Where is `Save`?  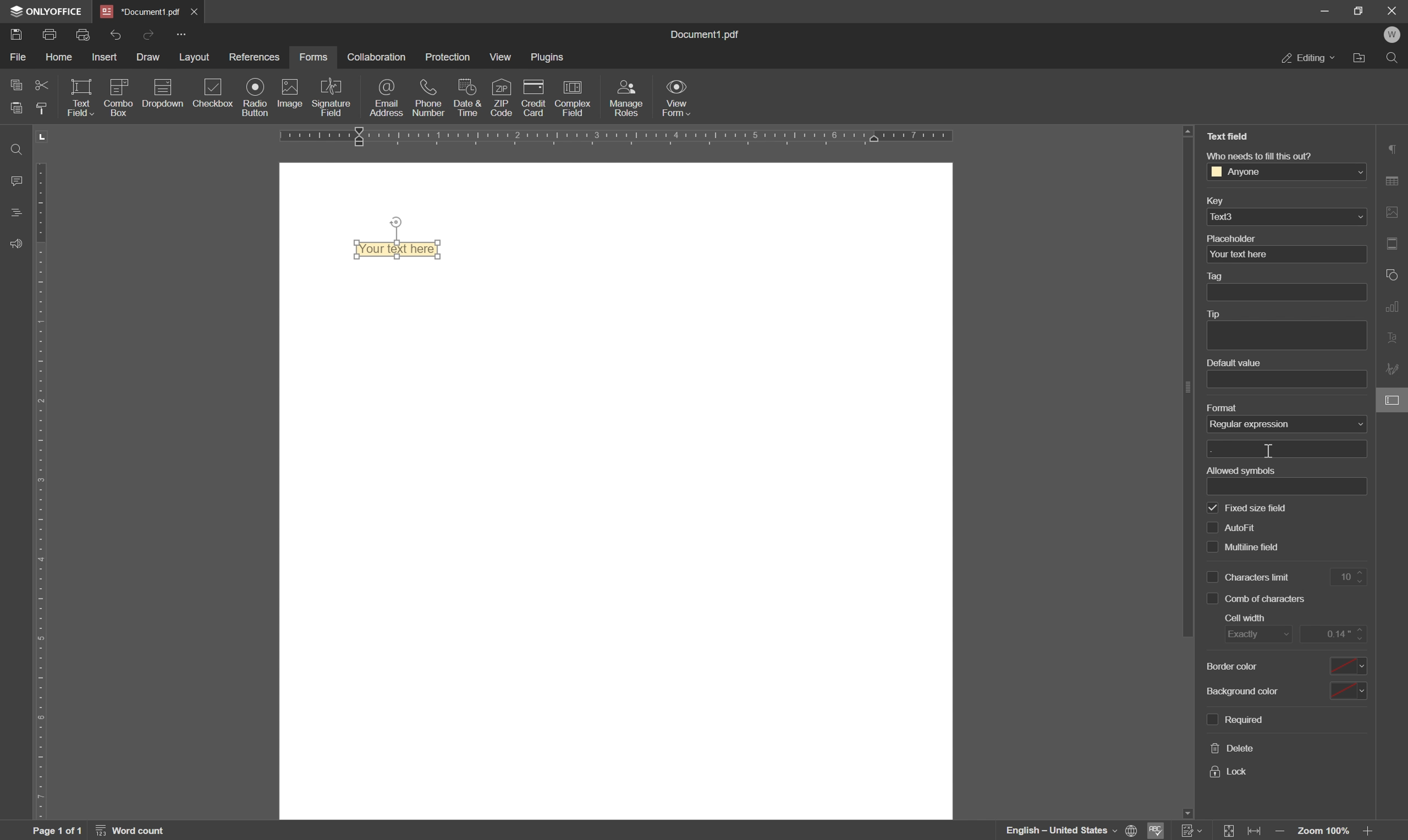 Save is located at coordinates (17, 36).